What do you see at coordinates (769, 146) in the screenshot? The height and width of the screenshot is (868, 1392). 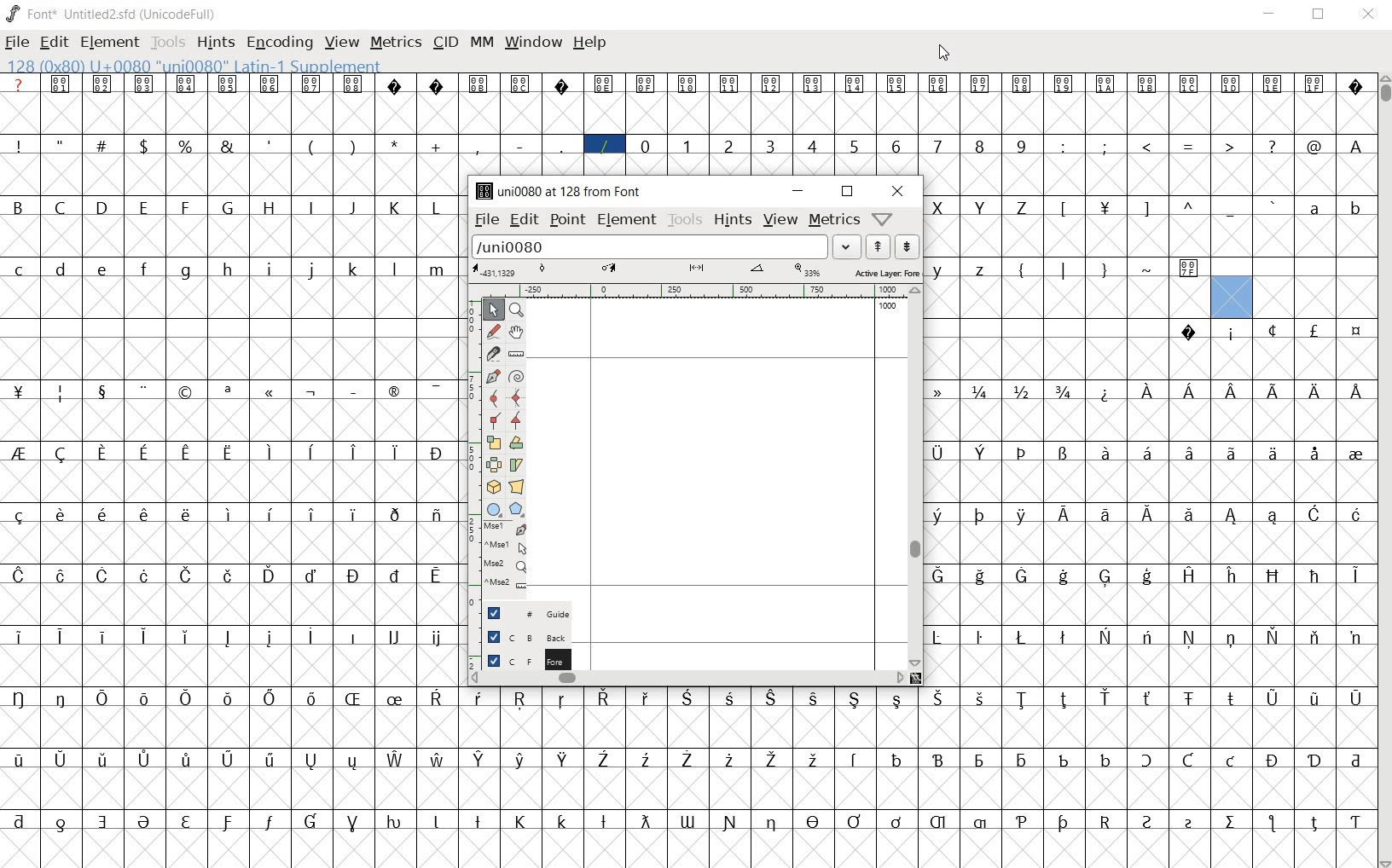 I see `glyph` at bounding box center [769, 146].